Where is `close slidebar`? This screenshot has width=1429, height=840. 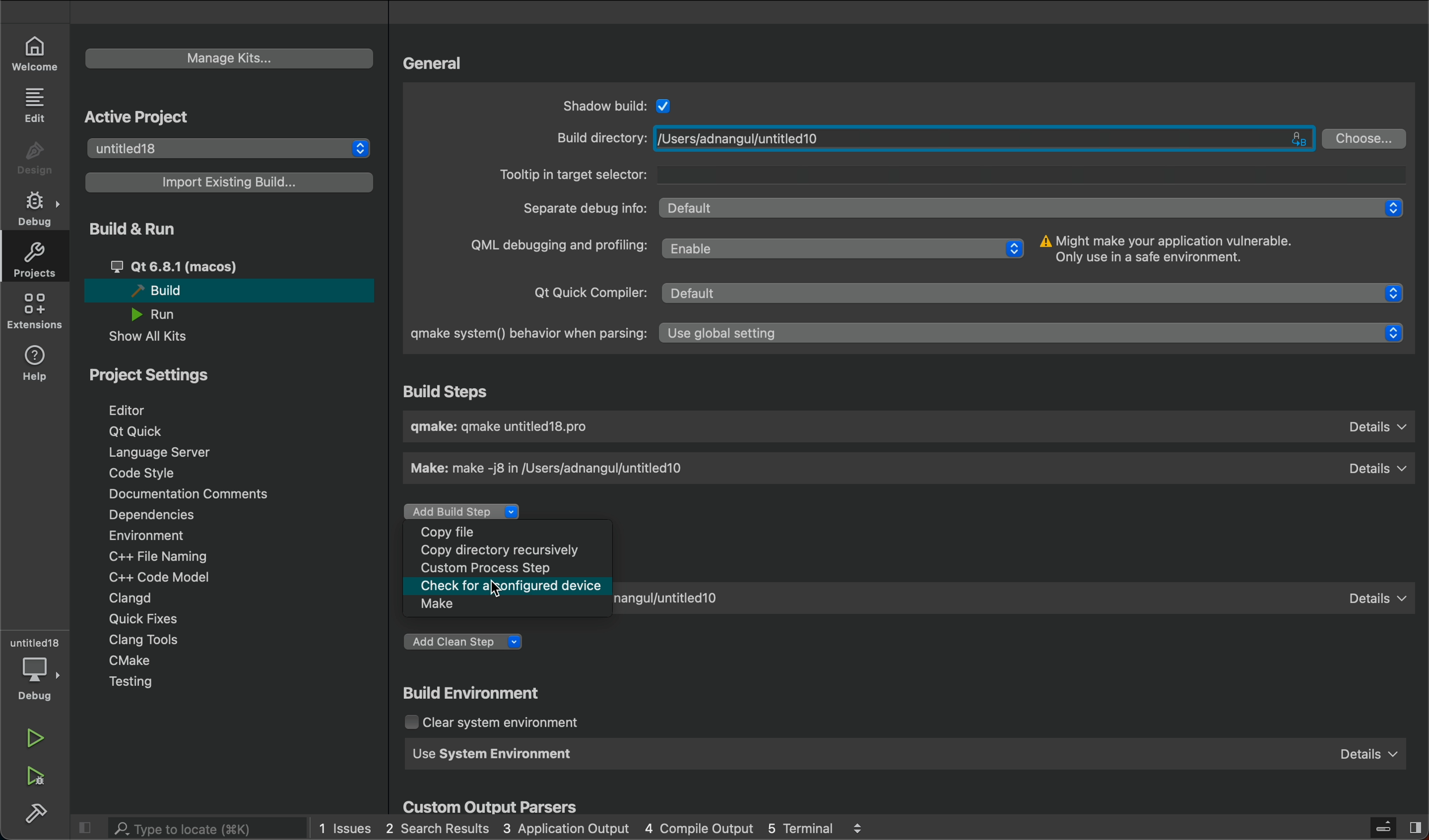
close slidebar is located at coordinates (1384, 828).